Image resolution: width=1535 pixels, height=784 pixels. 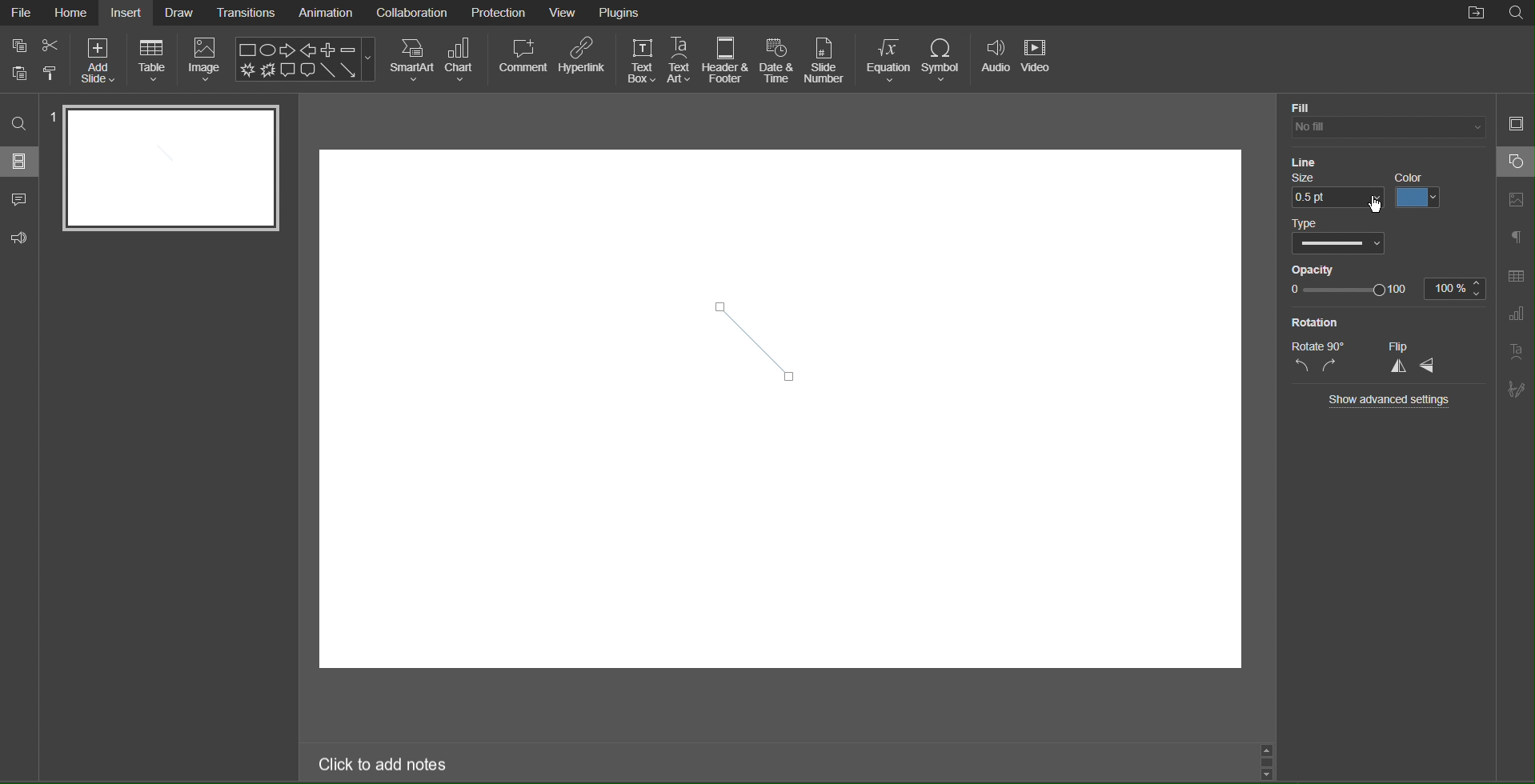 What do you see at coordinates (1381, 210) in the screenshot?
I see `Pointer` at bounding box center [1381, 210].